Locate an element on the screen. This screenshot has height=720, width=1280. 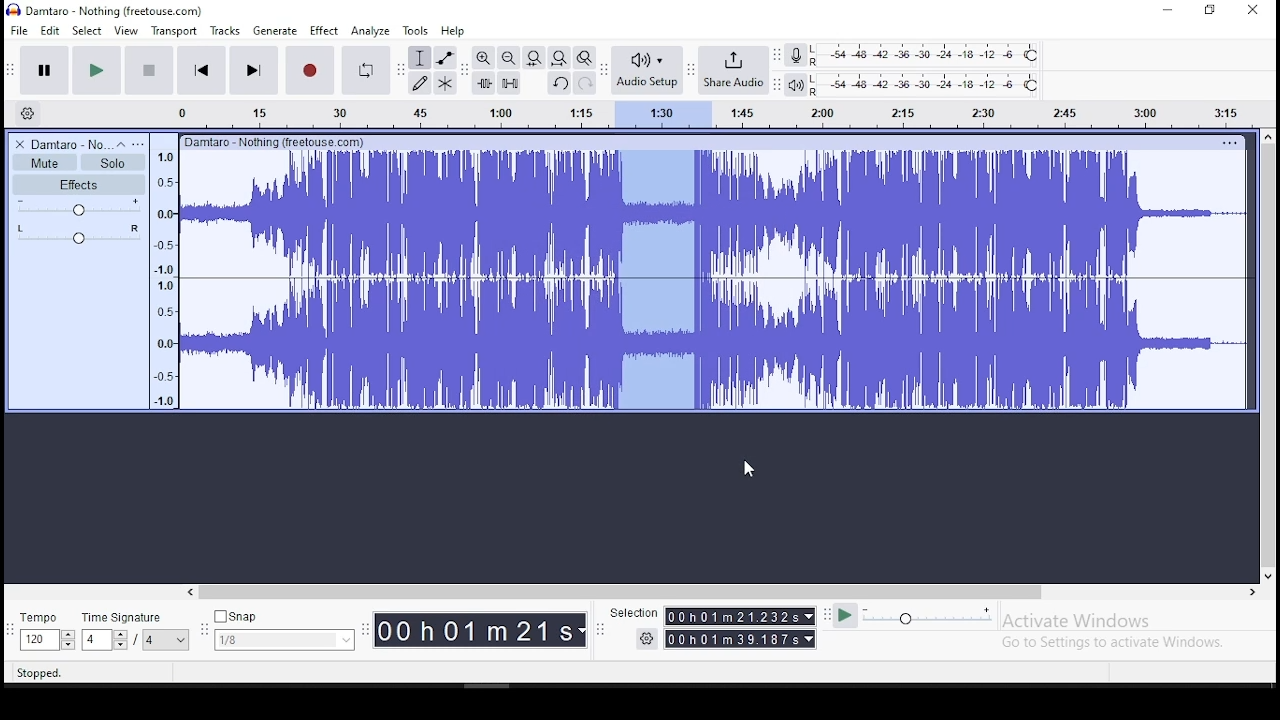
undo is located at coordinates (559, 83).